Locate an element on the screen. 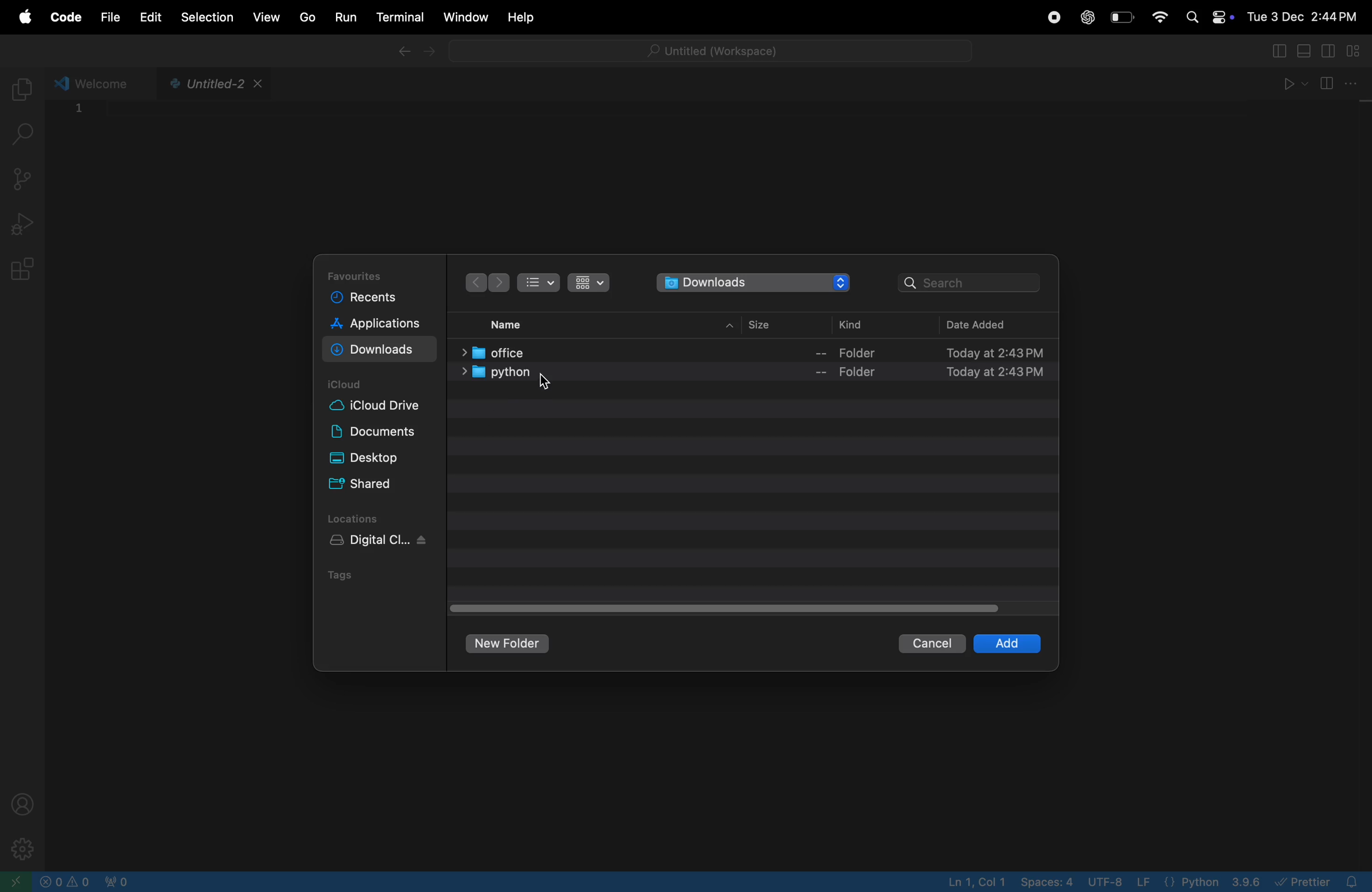 The width and height of the screenshot is (1372, 892). apple menu is located at coordinates (26, 14).